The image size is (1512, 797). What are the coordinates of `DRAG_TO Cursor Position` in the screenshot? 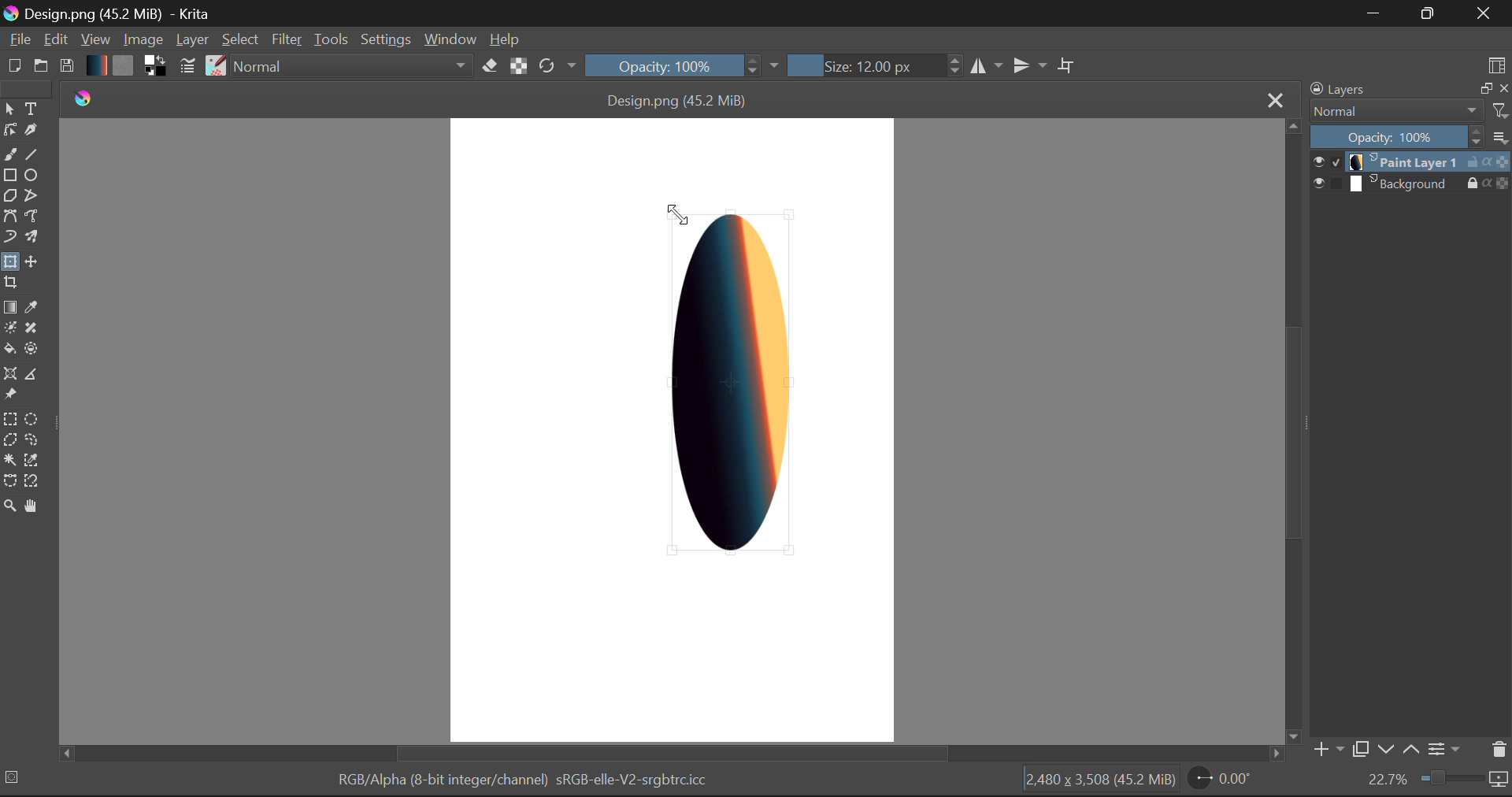 It's located at (673, 212).